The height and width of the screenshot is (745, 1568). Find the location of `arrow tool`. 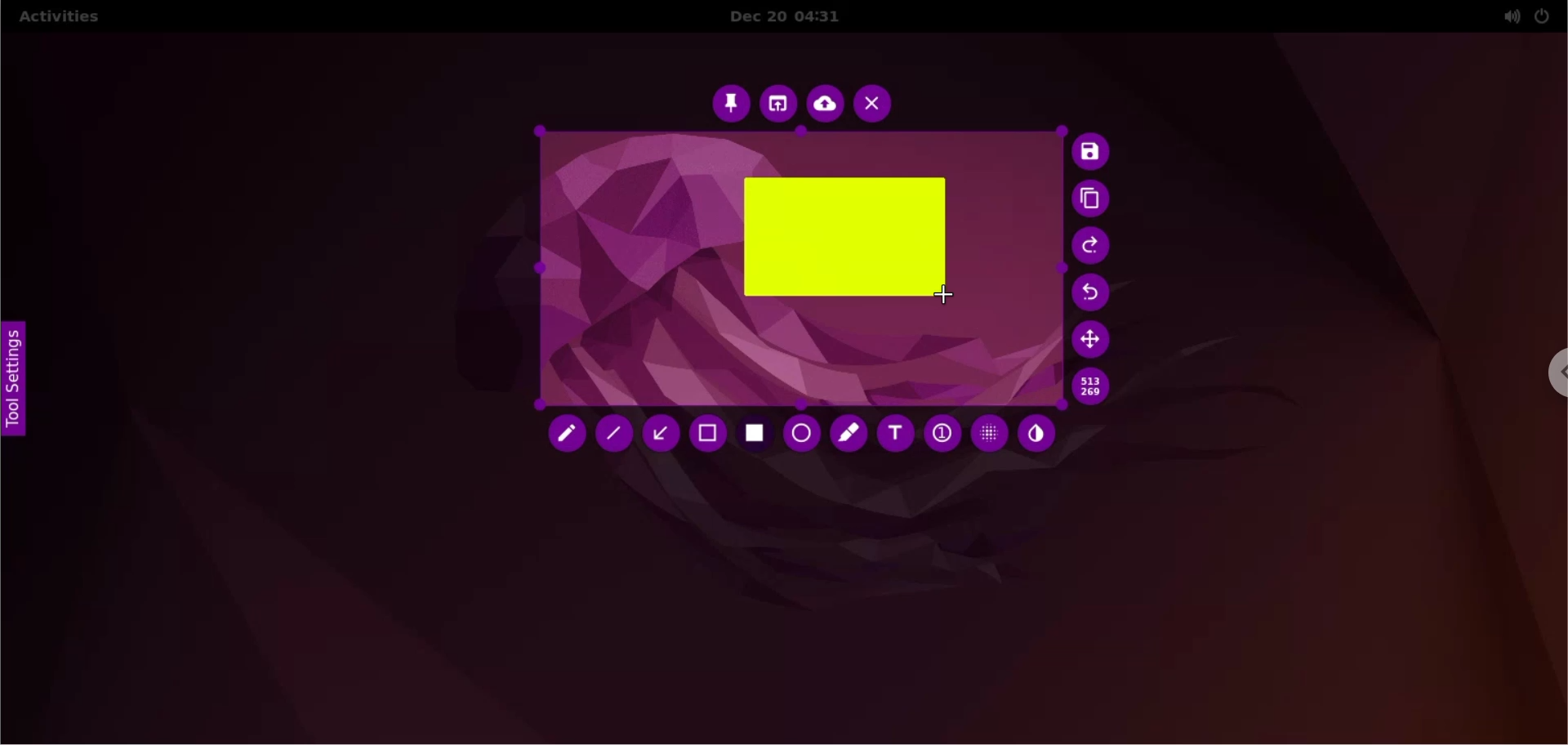

arrow tool is located at coordinates (659, 437).